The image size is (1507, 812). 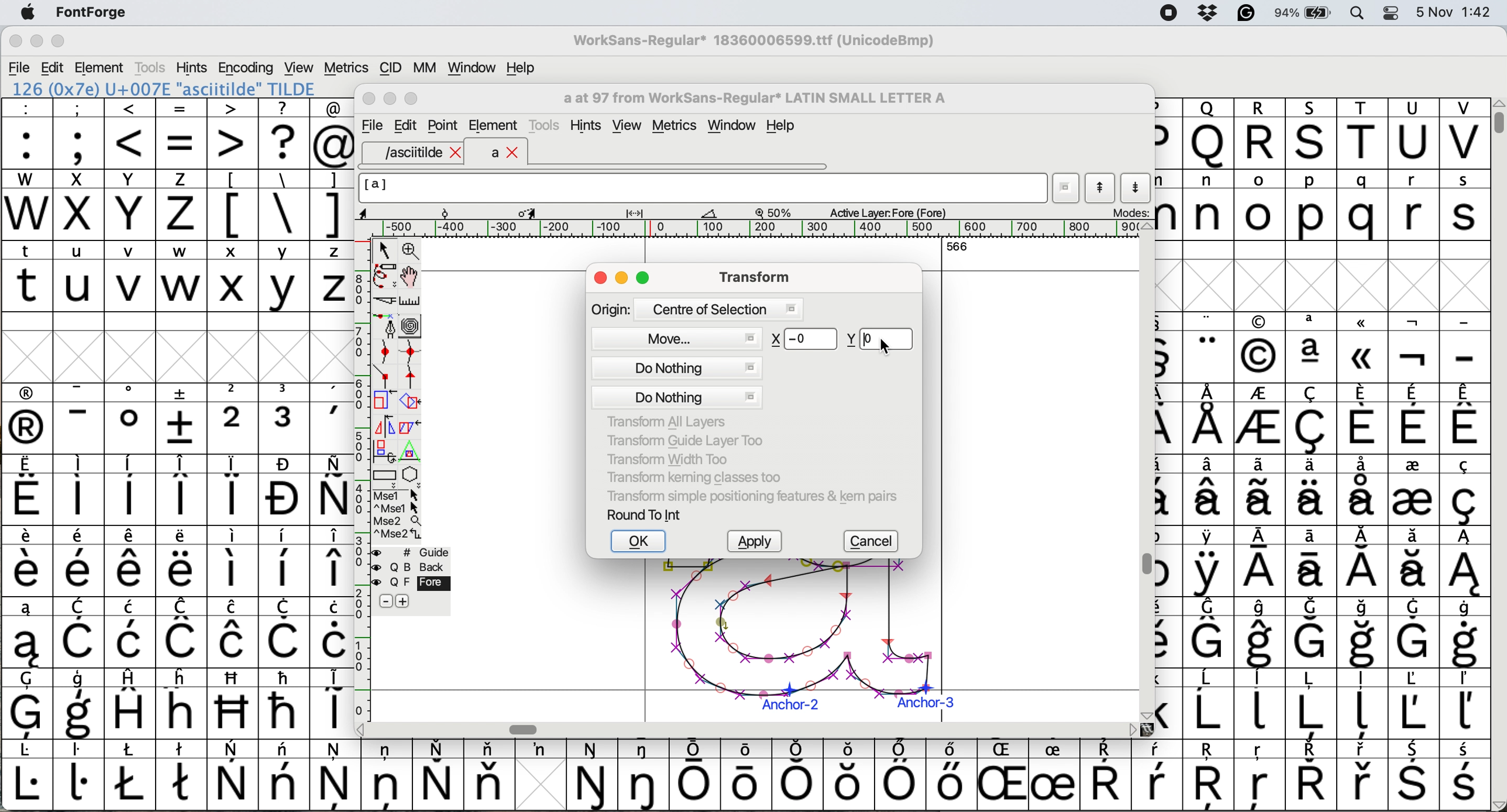 What do you see at coordinates (79, 774) in the screenshot?
I see `symbol` at bounding box center [79, 774].